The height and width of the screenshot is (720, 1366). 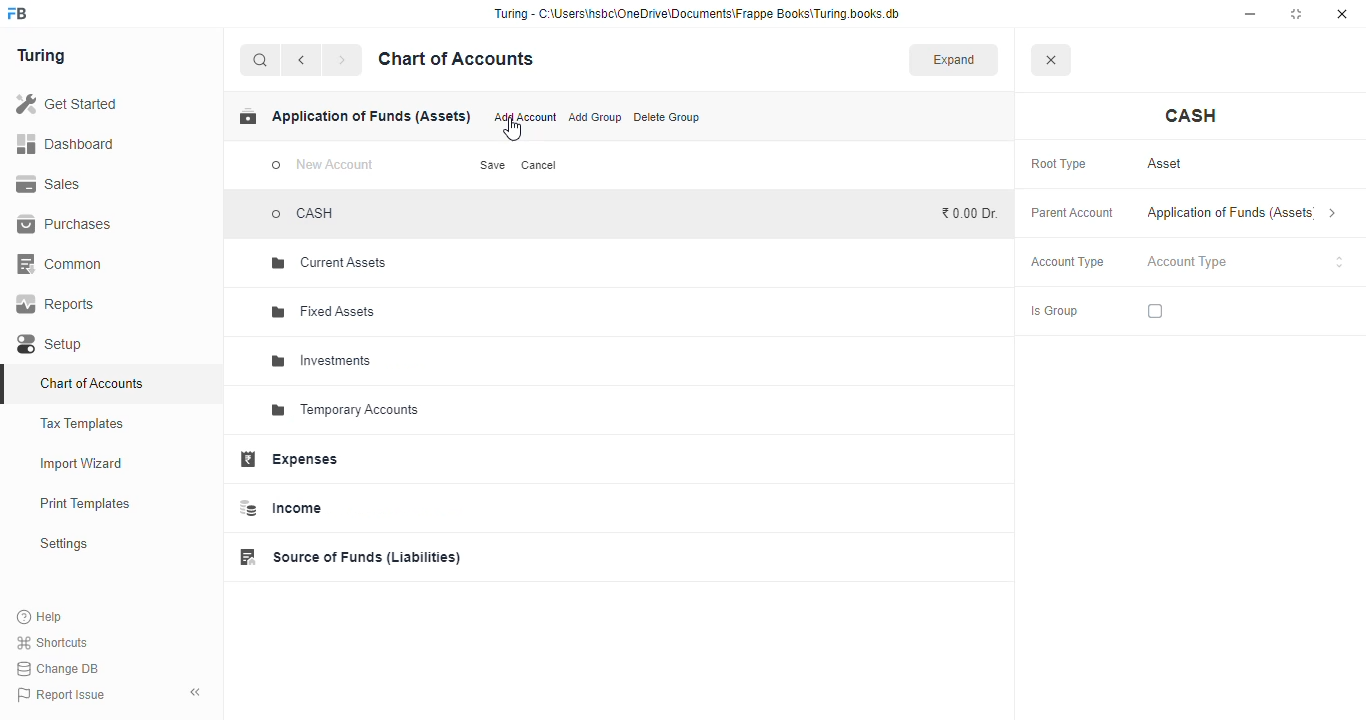 What do you see at coordinates (512, 131) in the screenshot?
I see `cursor` at bounding box center [512, 131].